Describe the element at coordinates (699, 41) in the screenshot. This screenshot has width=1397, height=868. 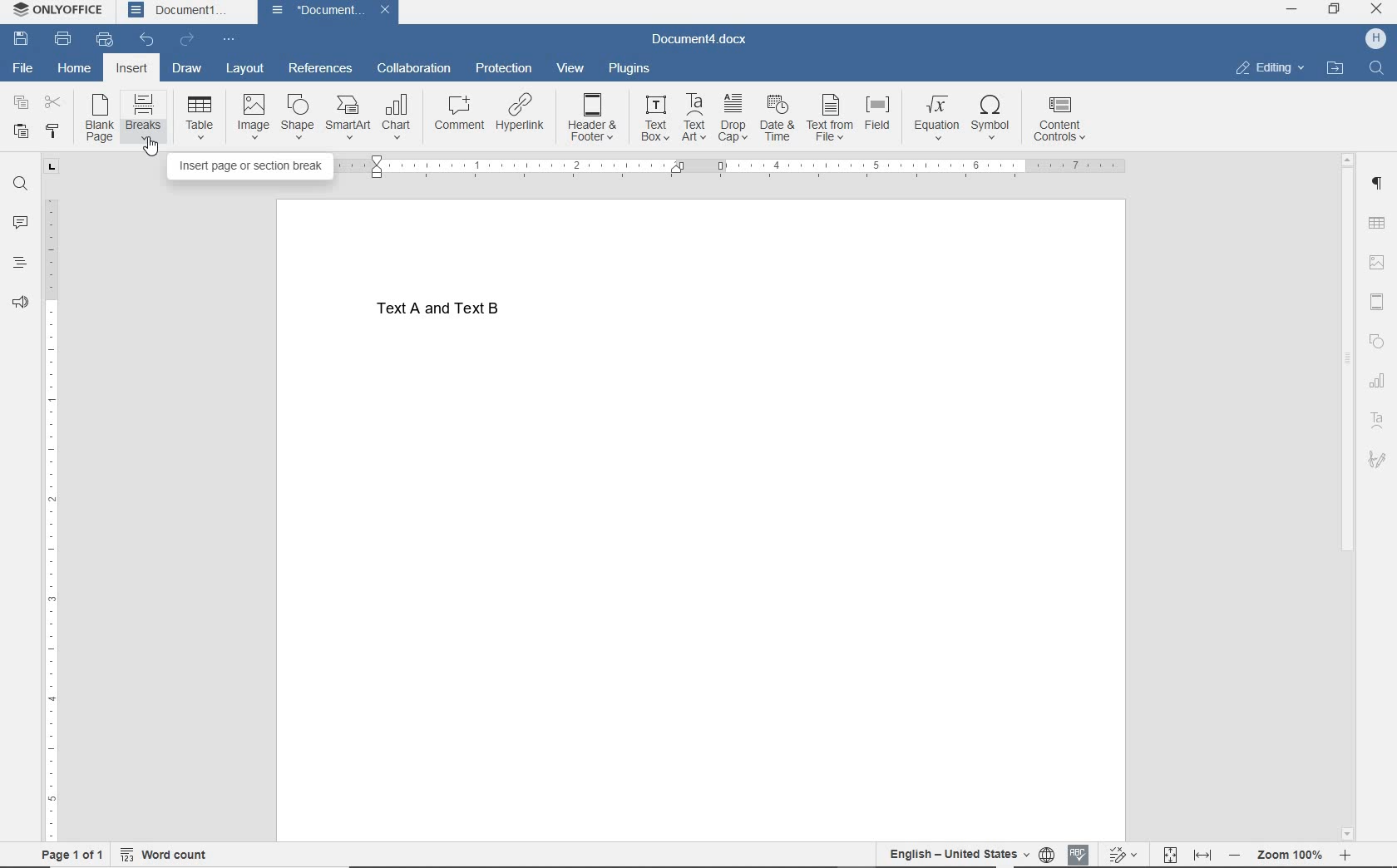
I see `DOCUMENT NAME` at that location.